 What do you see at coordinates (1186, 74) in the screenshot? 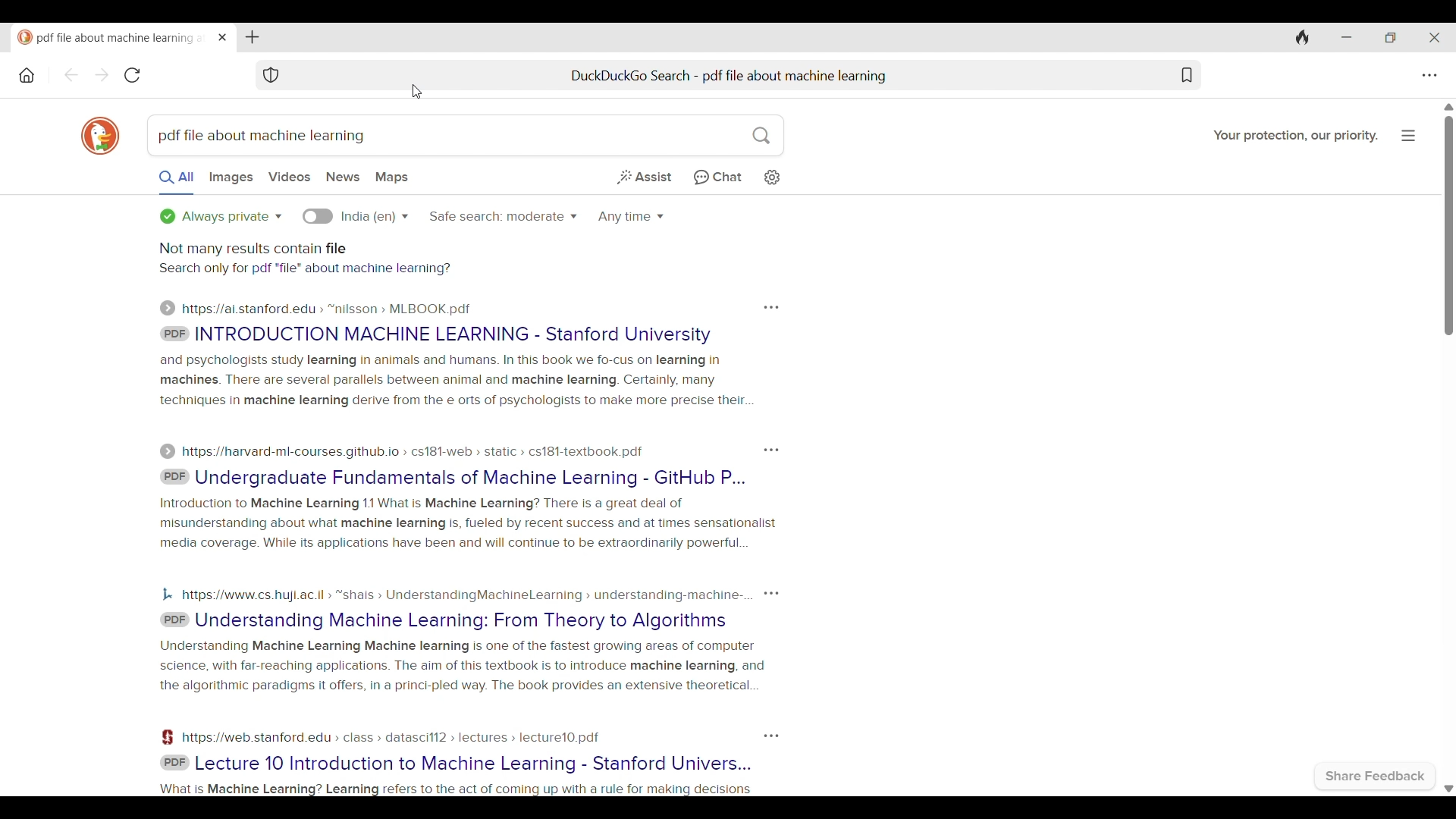
I see `Bookmark current page` at bounding box center [1186, 74].